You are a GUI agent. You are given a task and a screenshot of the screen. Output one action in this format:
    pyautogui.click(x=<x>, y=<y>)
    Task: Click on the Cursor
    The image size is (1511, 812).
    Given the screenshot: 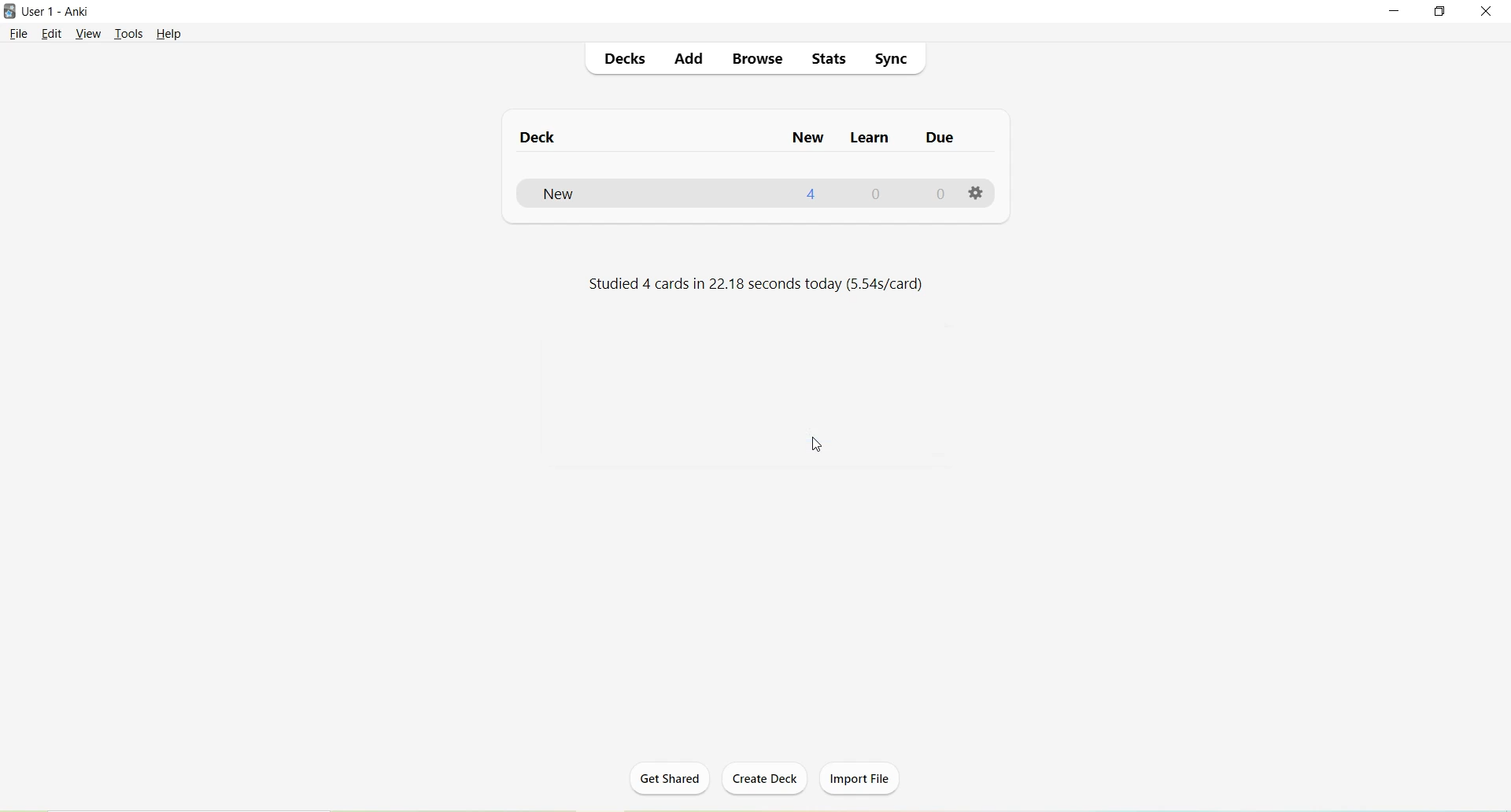 What is the action you would take?
    pyautogui.click(x=815, y=445)
    